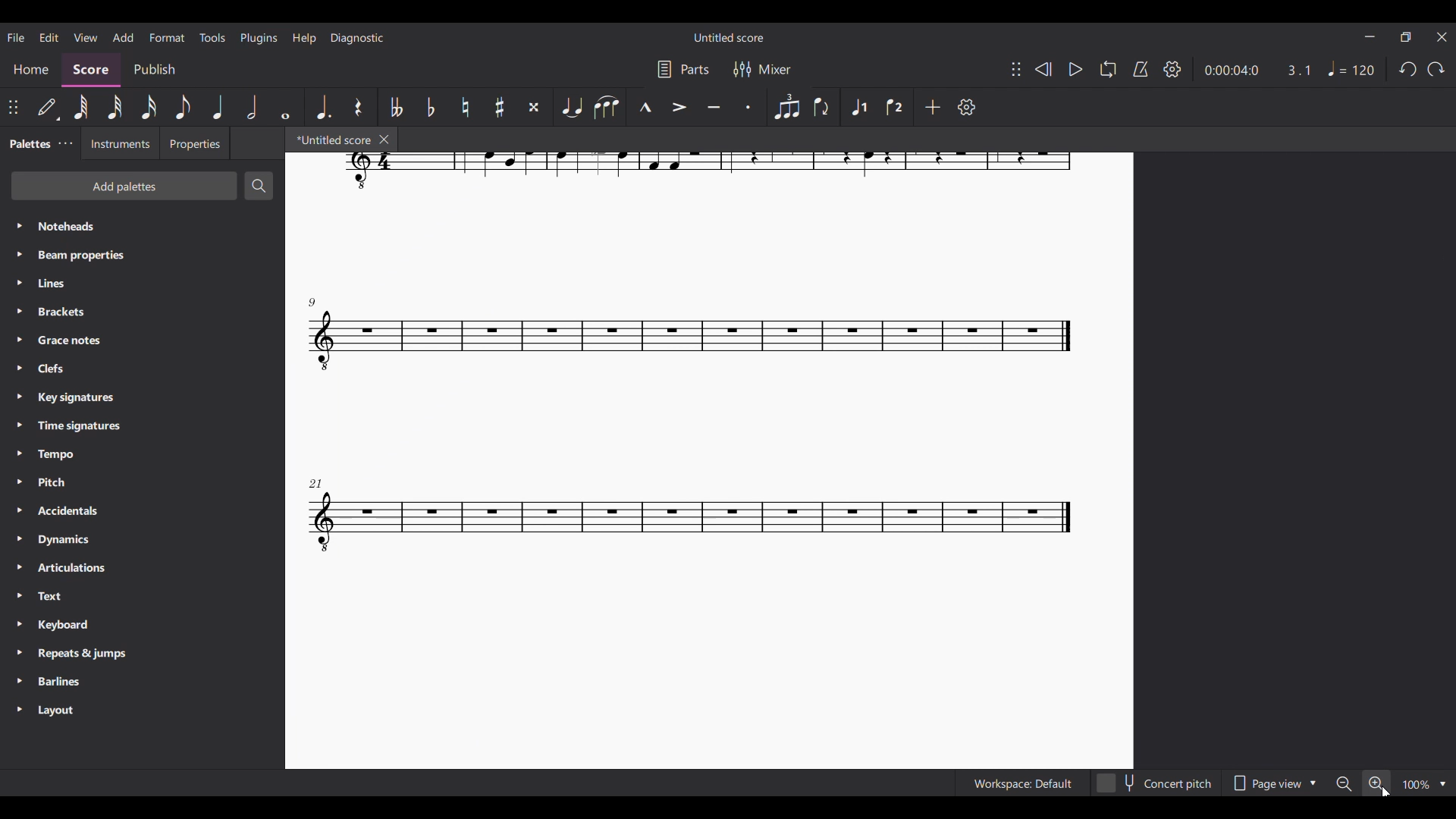 The image size is (1456, 819). I want to click on Beam properties, so click(142, 256).